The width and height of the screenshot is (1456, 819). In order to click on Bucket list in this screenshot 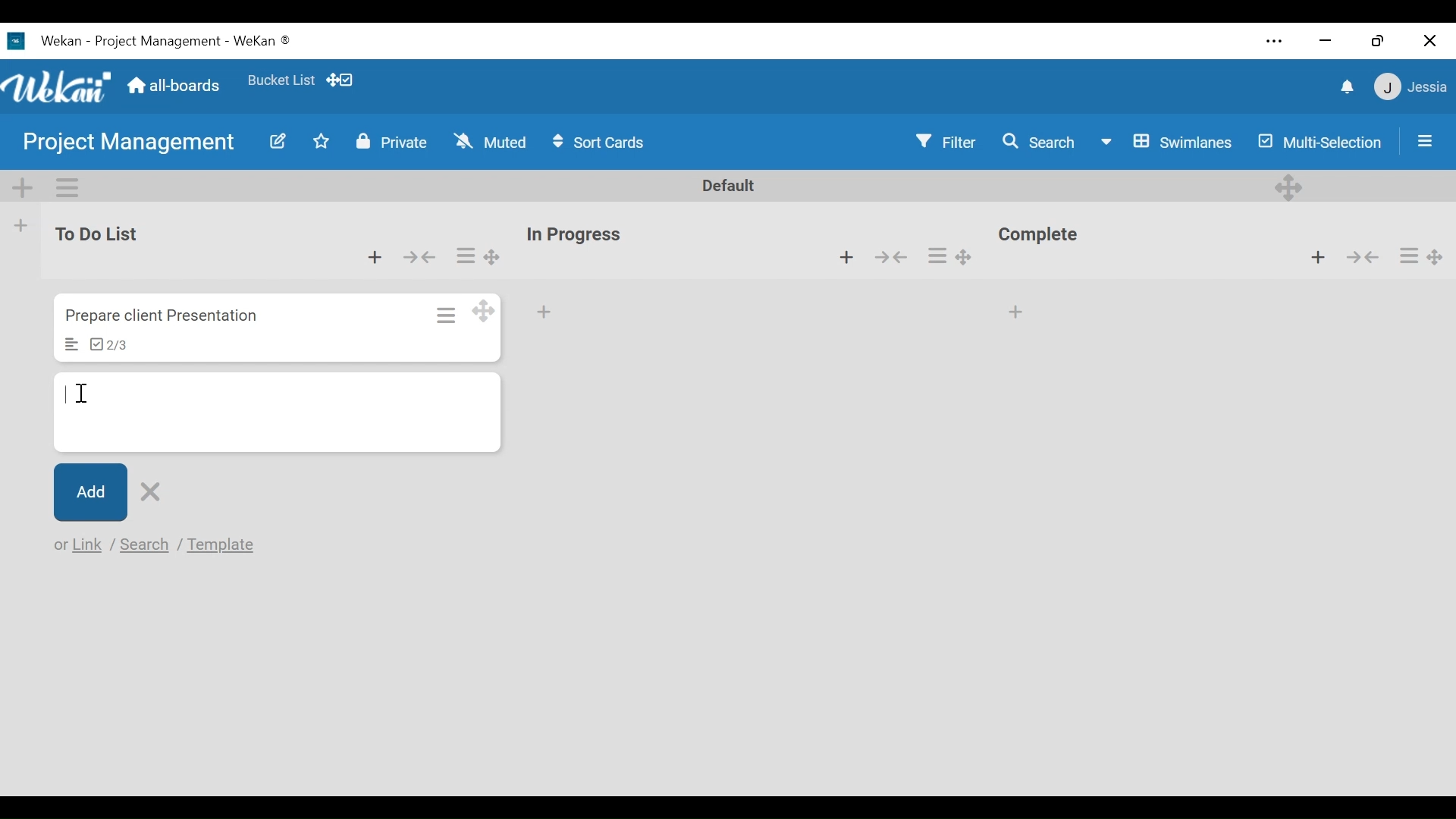, I will do `click(281, 83)`.